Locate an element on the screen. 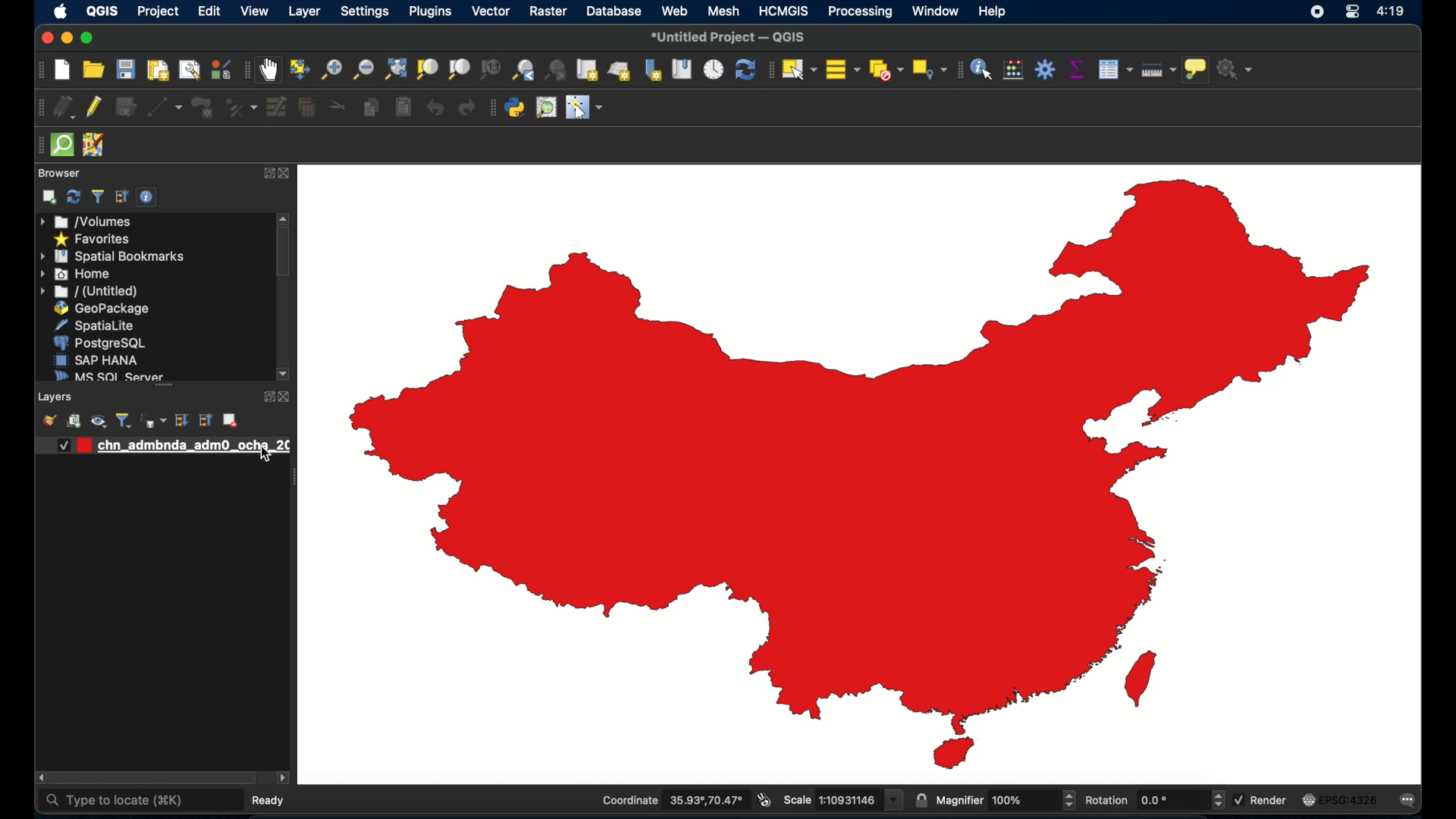 Image resolution: width=1456 pixels, height=819 pixels. EPSG:4326 is located at coordinates (1340, 799).